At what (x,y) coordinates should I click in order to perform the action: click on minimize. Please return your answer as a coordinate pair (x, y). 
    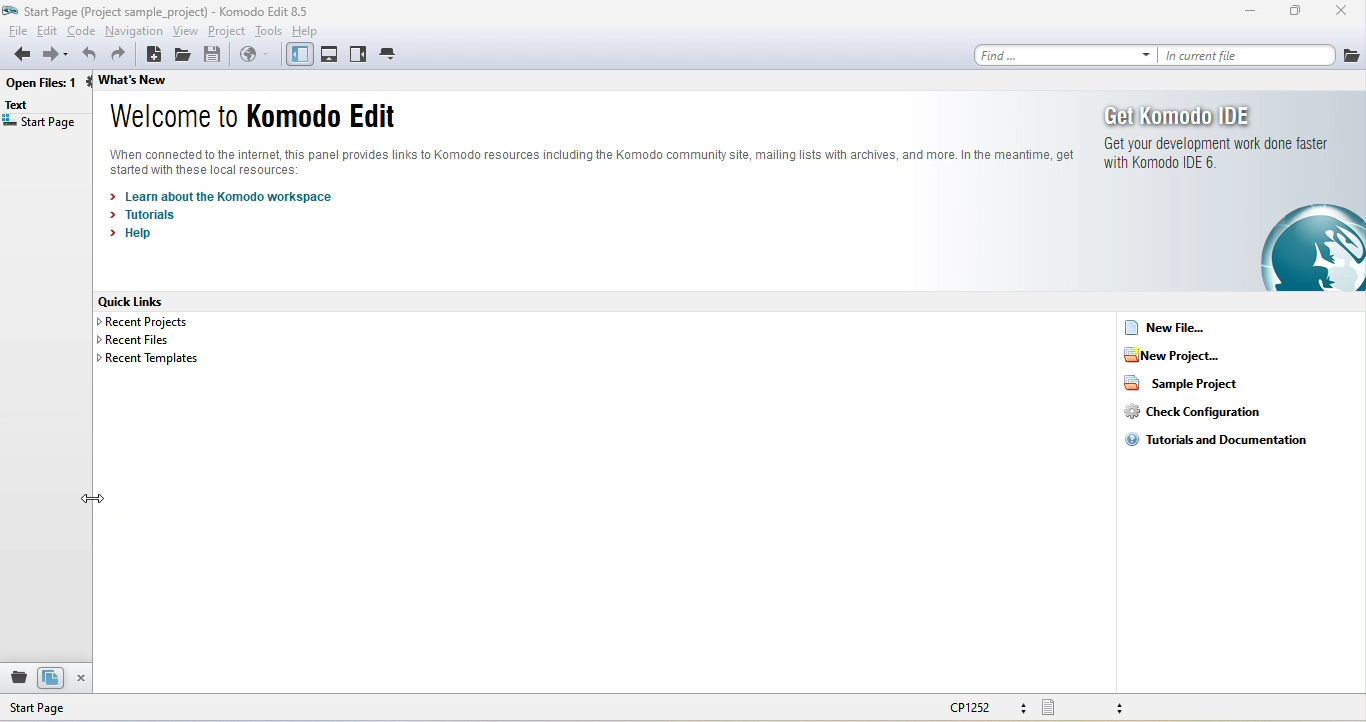
    Looking at the image, I should click on (1251, 14).